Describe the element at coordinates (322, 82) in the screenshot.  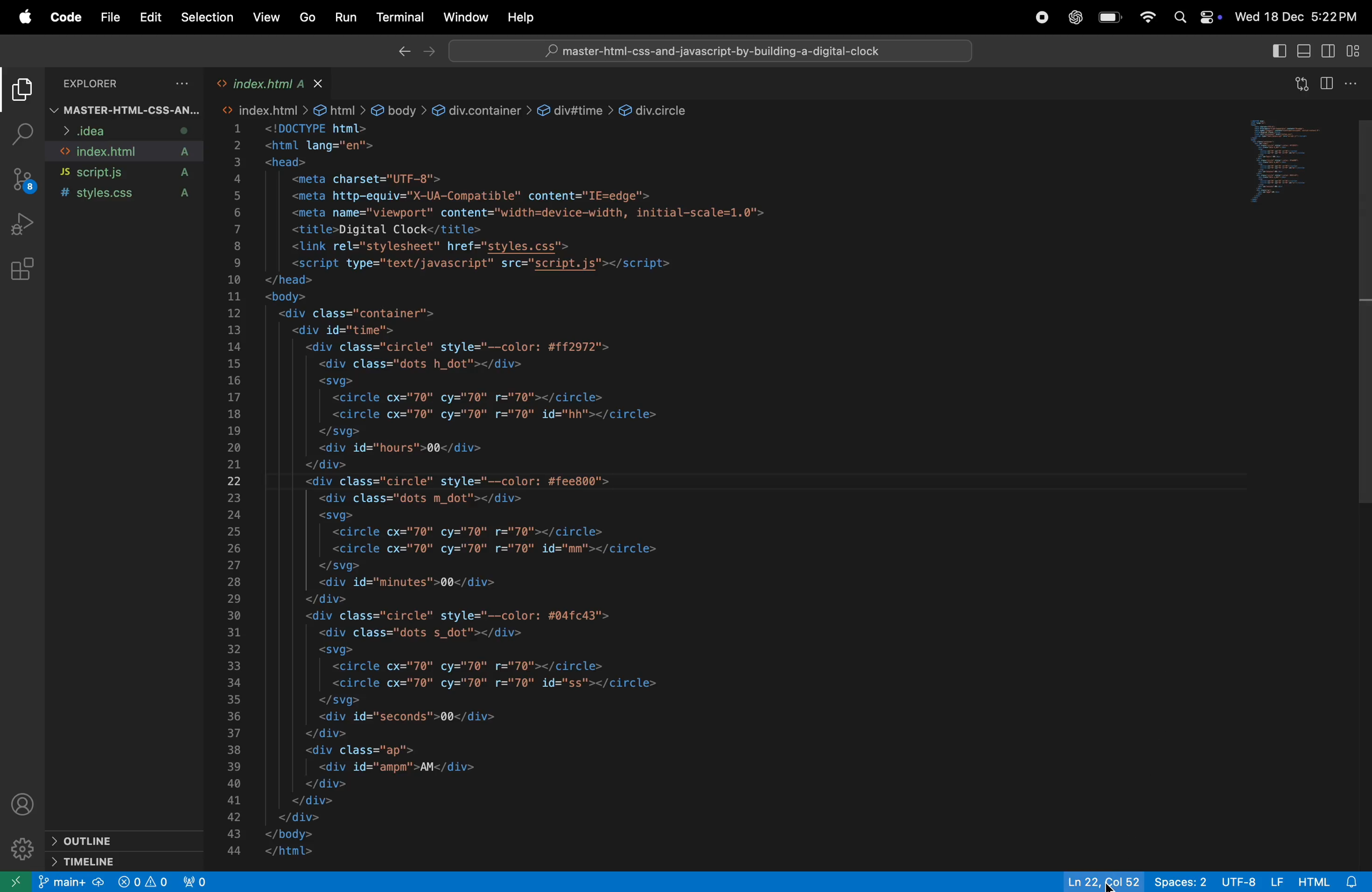
I see `close` at that location.